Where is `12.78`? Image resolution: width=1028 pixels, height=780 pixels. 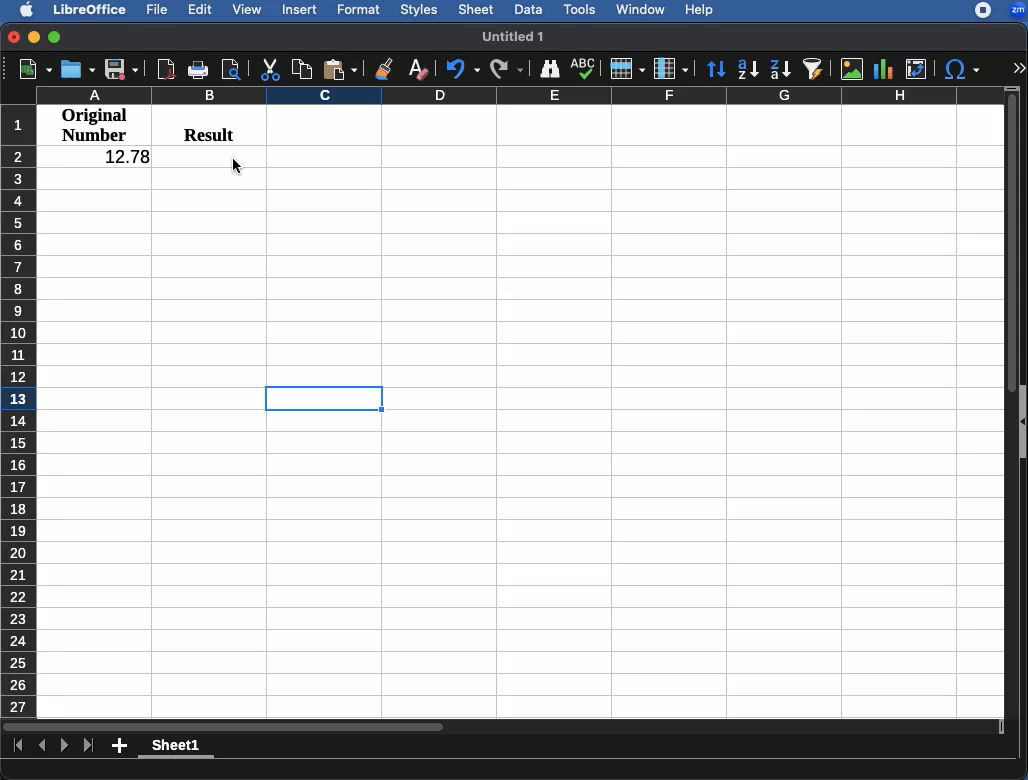
12.78 is located at coordinates (119, 157).